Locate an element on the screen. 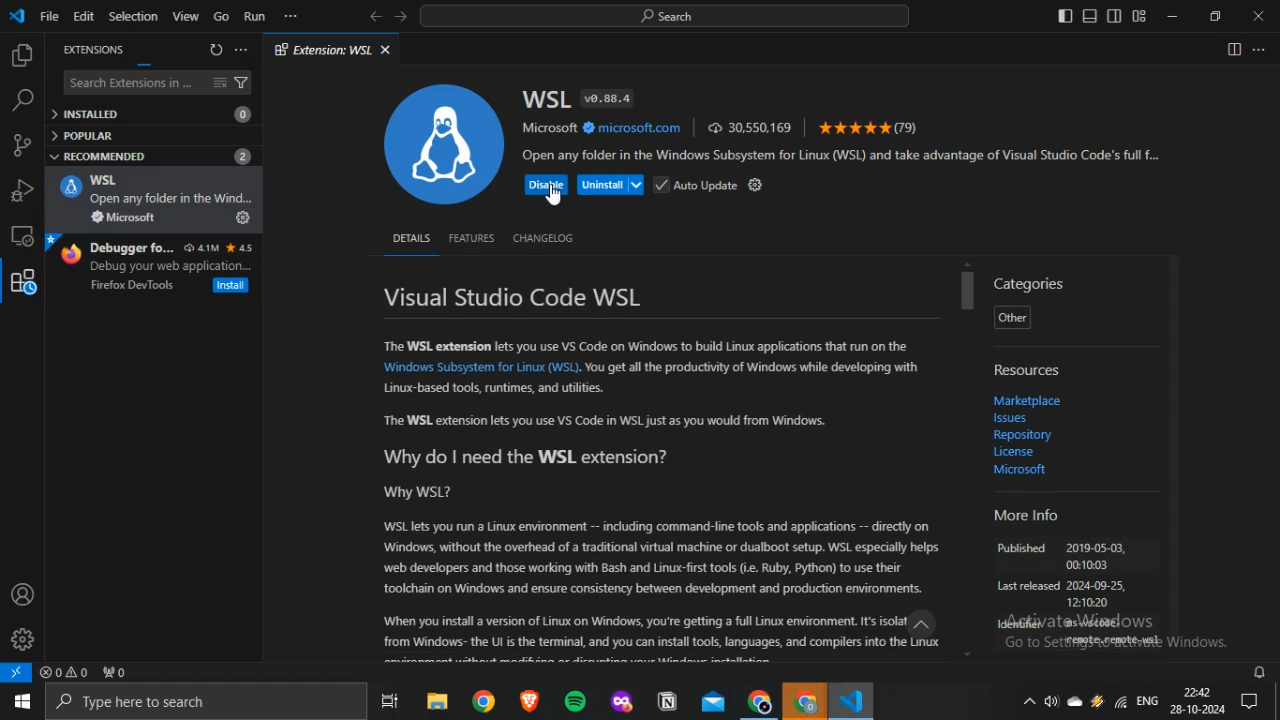  INSTALLED is located at coordinates (151, 114).